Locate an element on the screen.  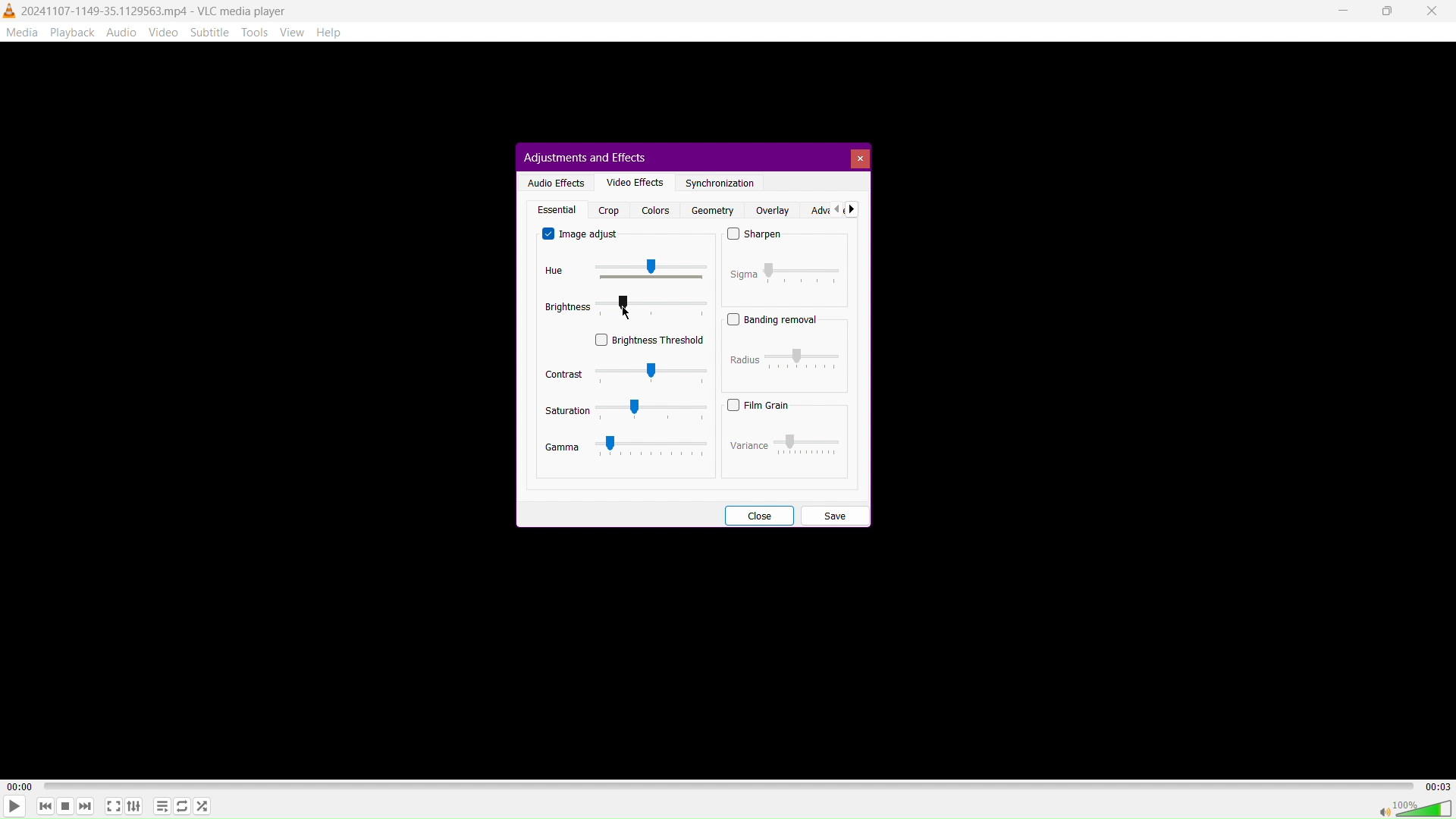
Sharpen is located at coordinates (755, 236).